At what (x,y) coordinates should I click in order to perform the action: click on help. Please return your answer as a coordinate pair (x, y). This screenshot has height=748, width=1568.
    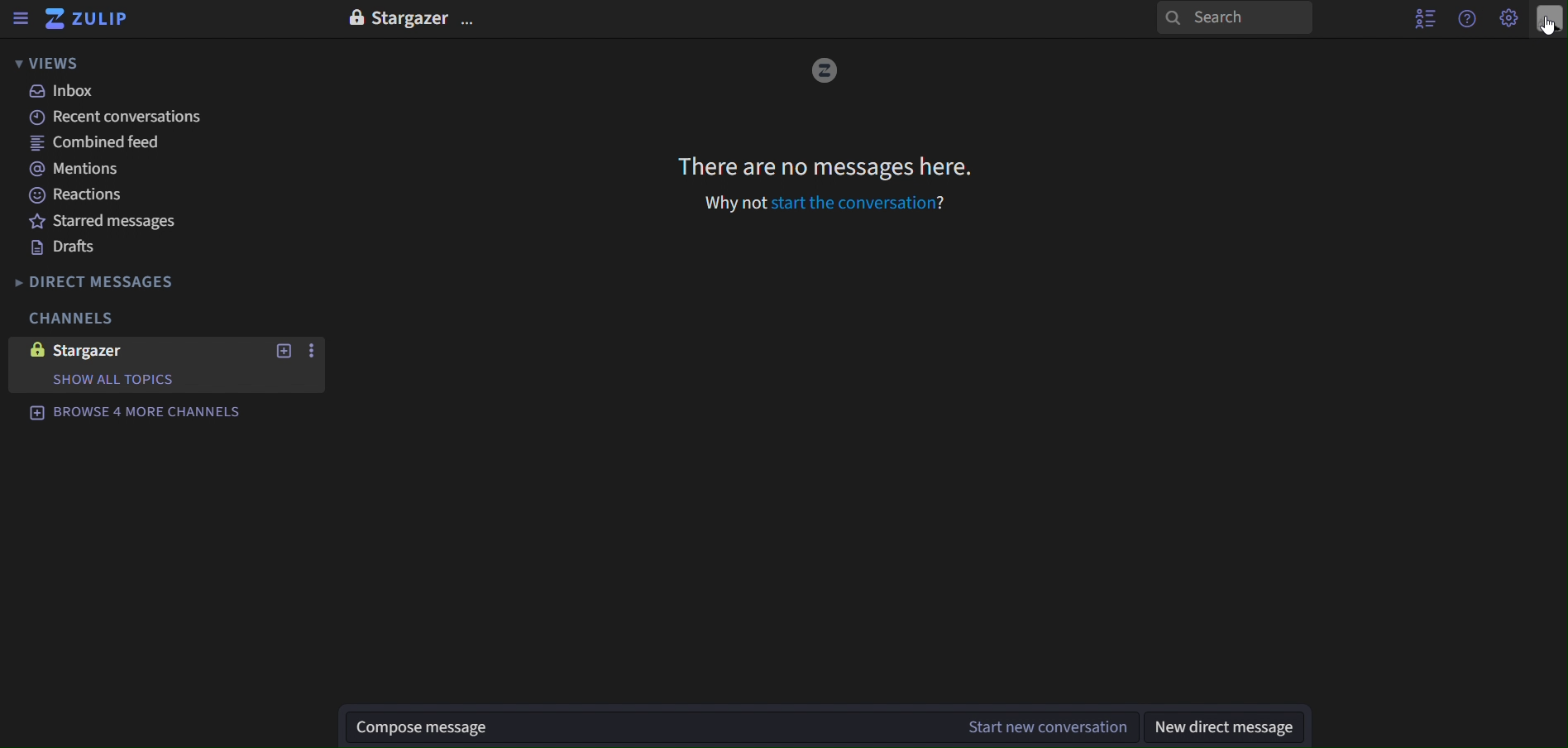
    Looking at the image, I should click on (1469, 21).